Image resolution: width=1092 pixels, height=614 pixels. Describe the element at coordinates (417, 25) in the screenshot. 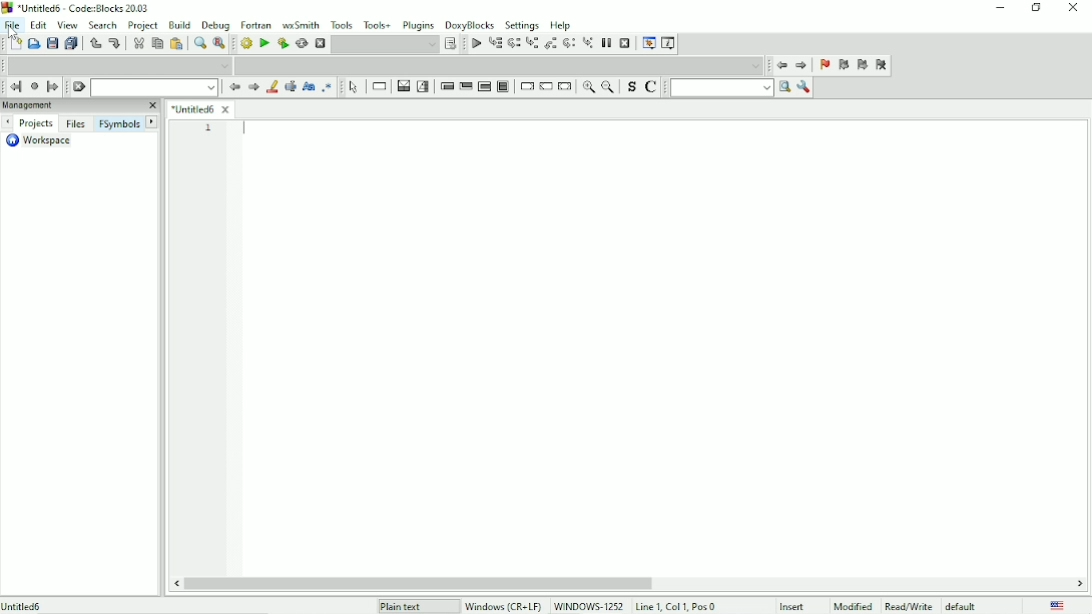

I see `Plugins` at that location.